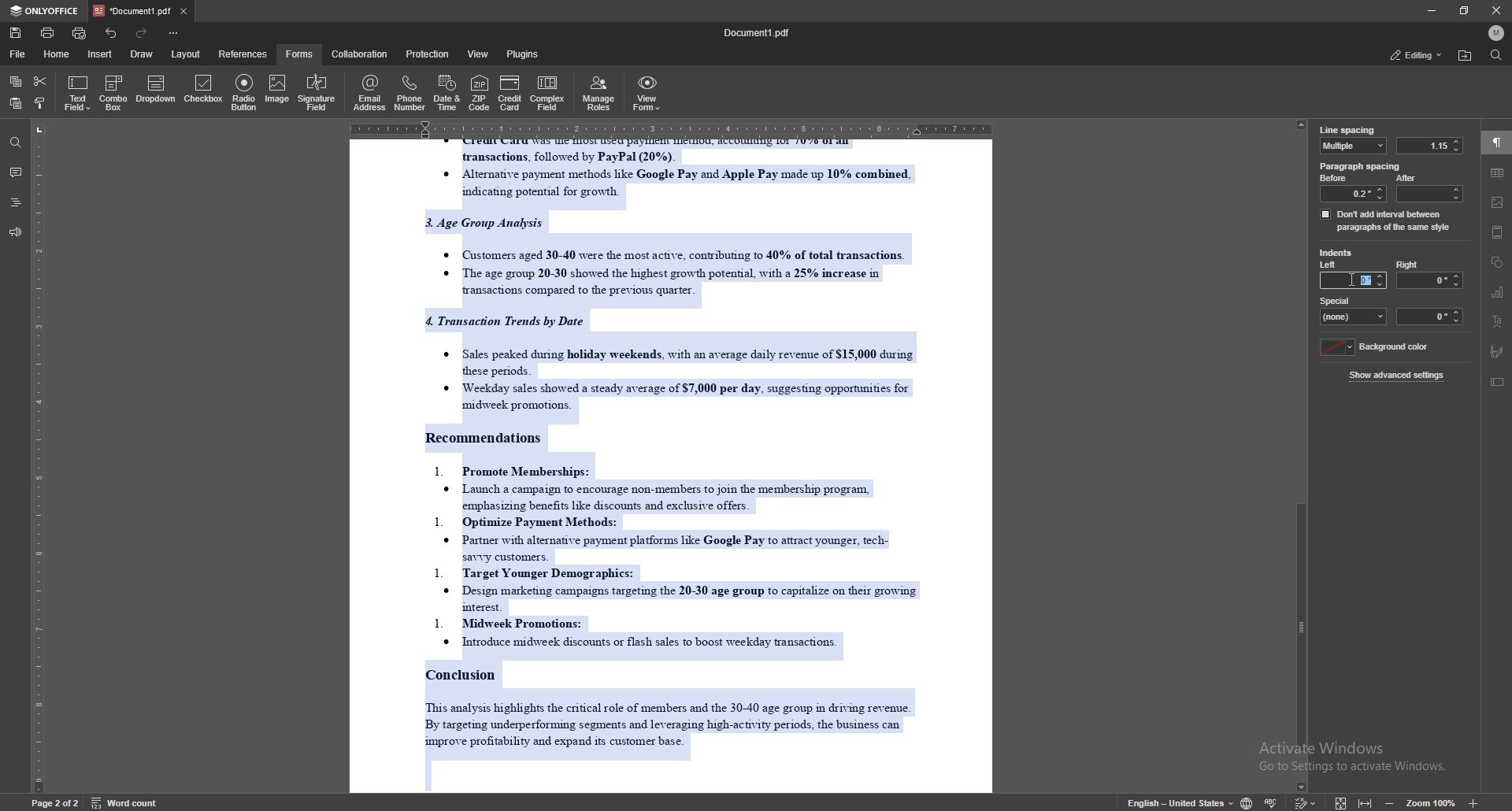  What do you see at coordinates (16, 202) in the screenshot?
I see `headings` at bounding box center [16, 202].